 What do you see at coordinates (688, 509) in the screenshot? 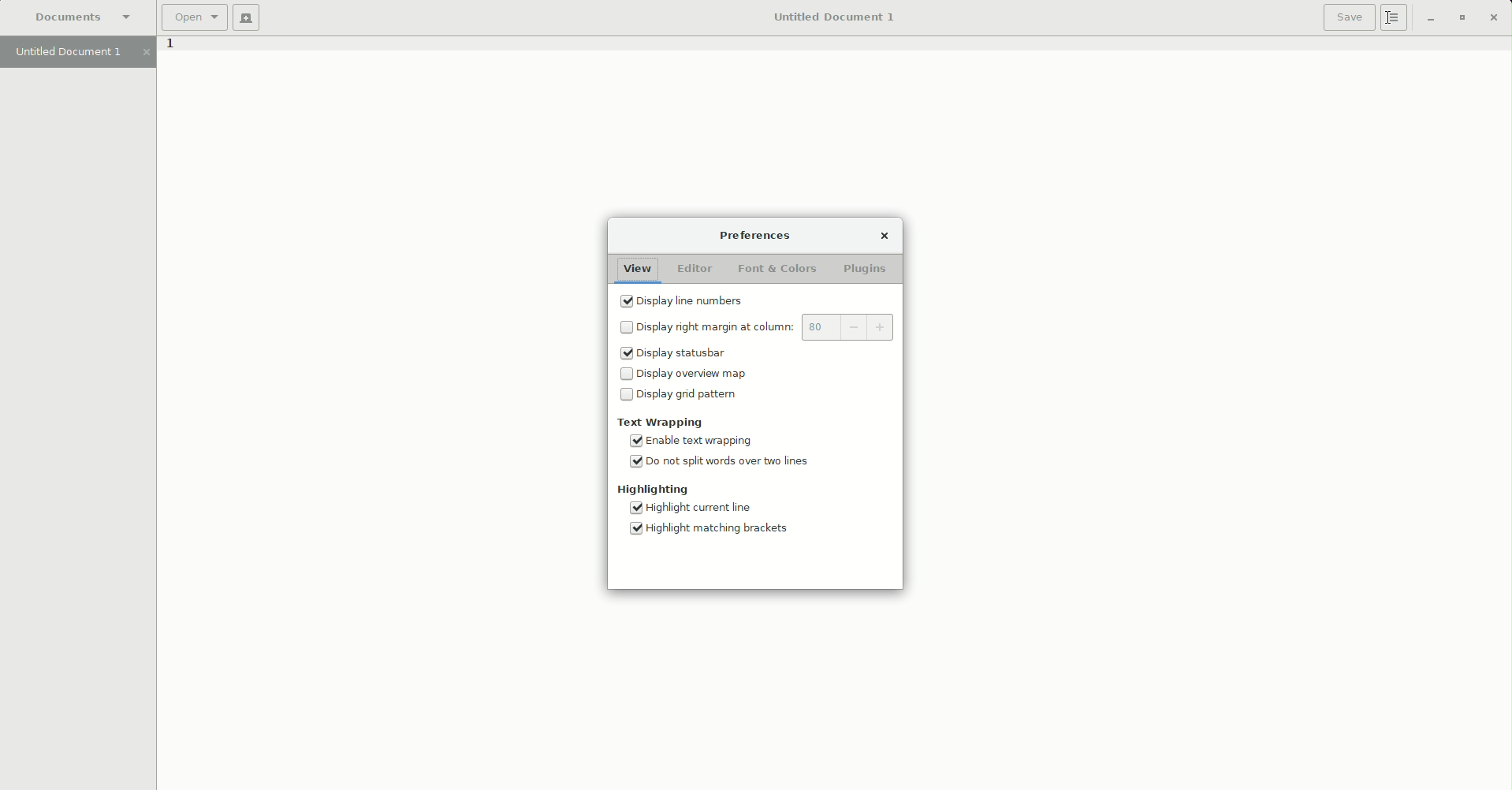
I see `Higlight Current line` at bounding box center [688, 509].